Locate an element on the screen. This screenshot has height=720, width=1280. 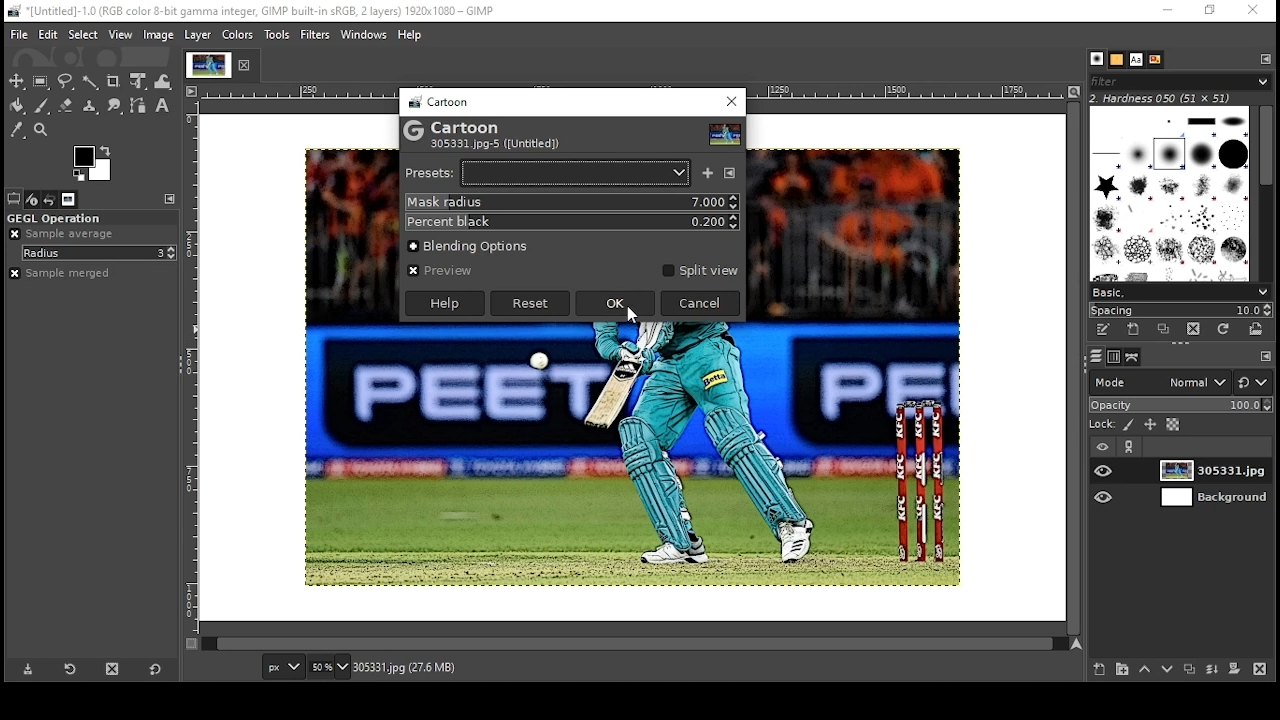
text tool is located at coordinates (165, 106).